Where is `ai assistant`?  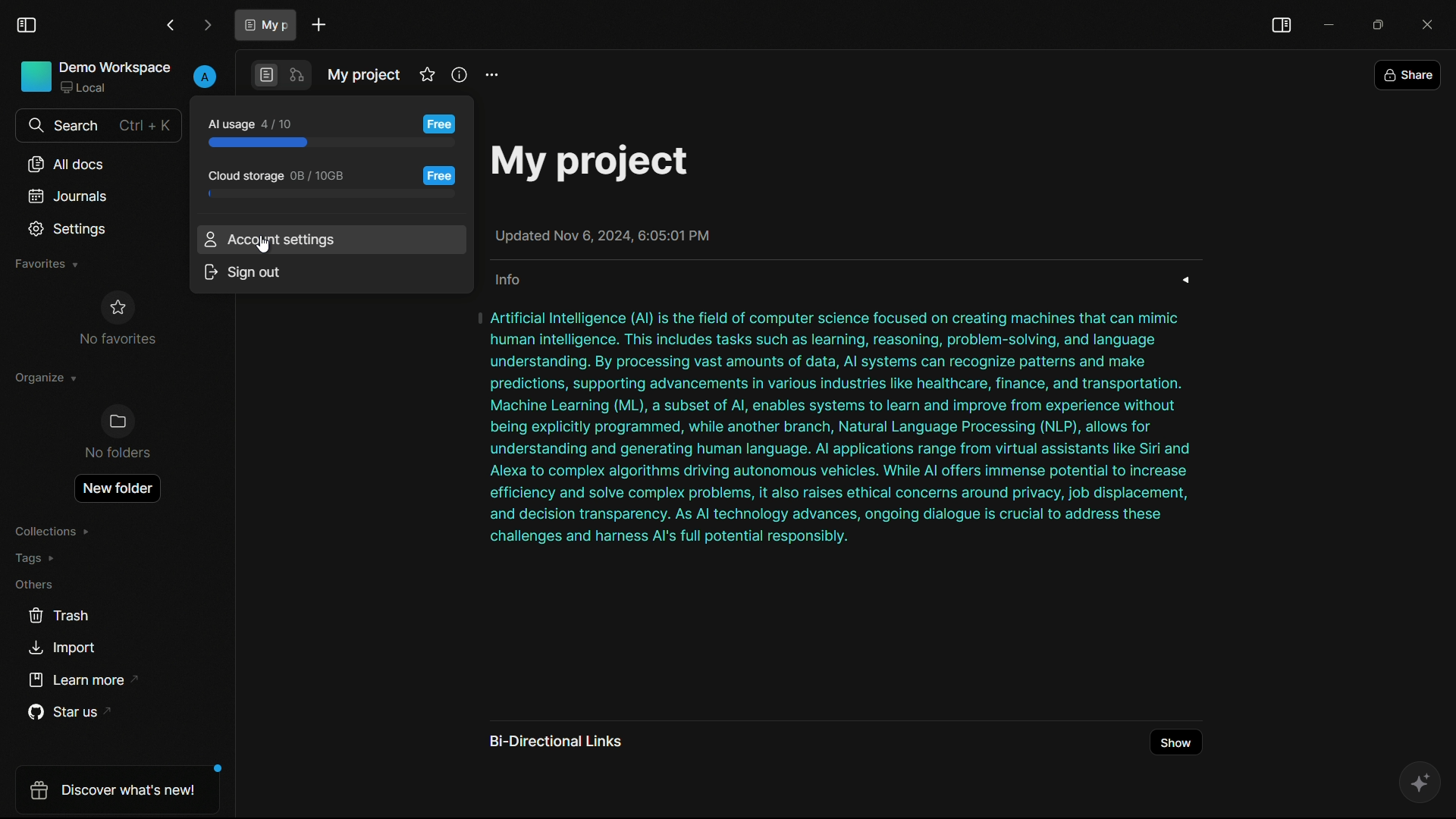 ai assistant is located at coordinates (1423, 785).